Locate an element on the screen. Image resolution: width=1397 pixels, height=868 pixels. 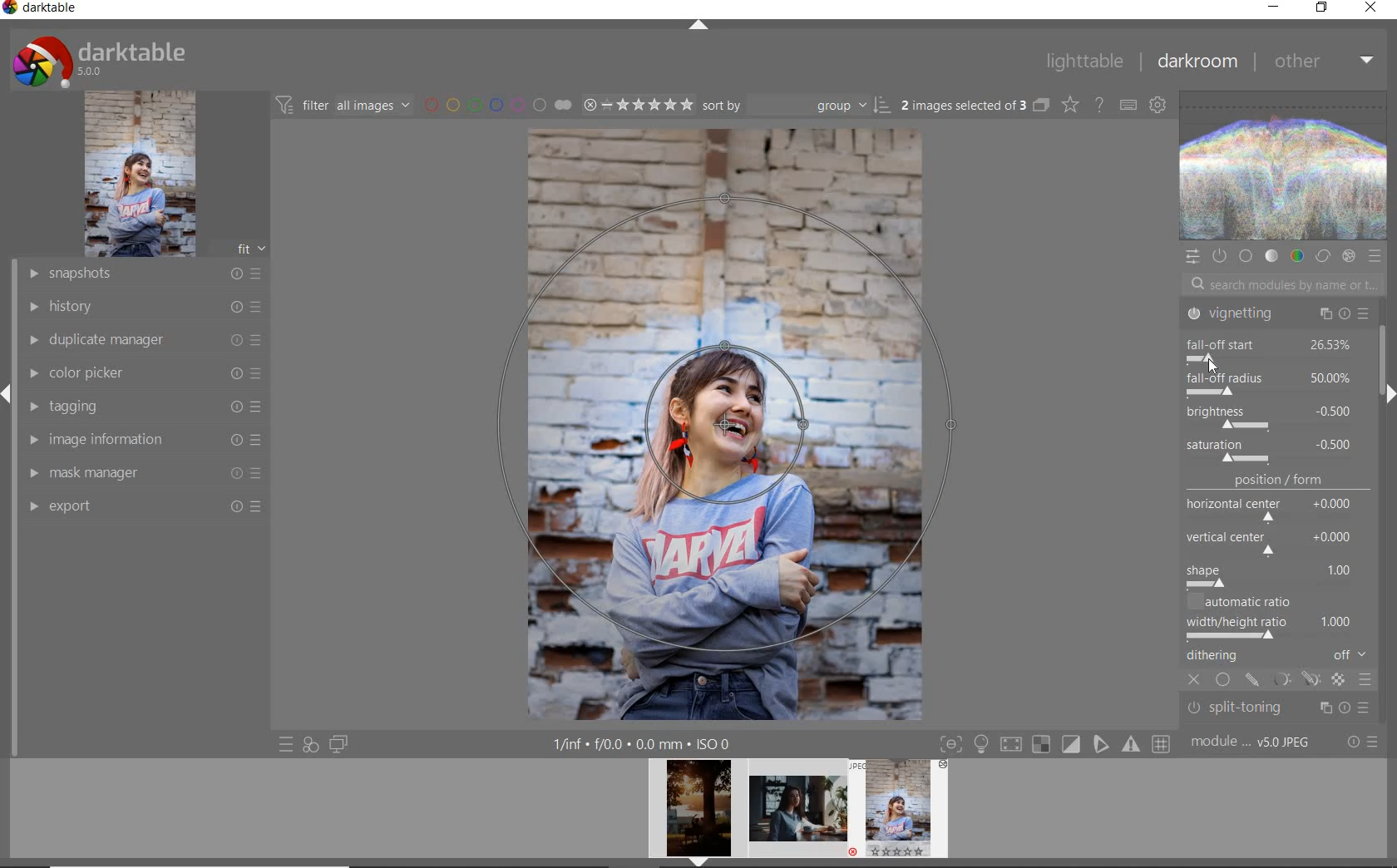
saturation is located at coordinates (1272, 451).